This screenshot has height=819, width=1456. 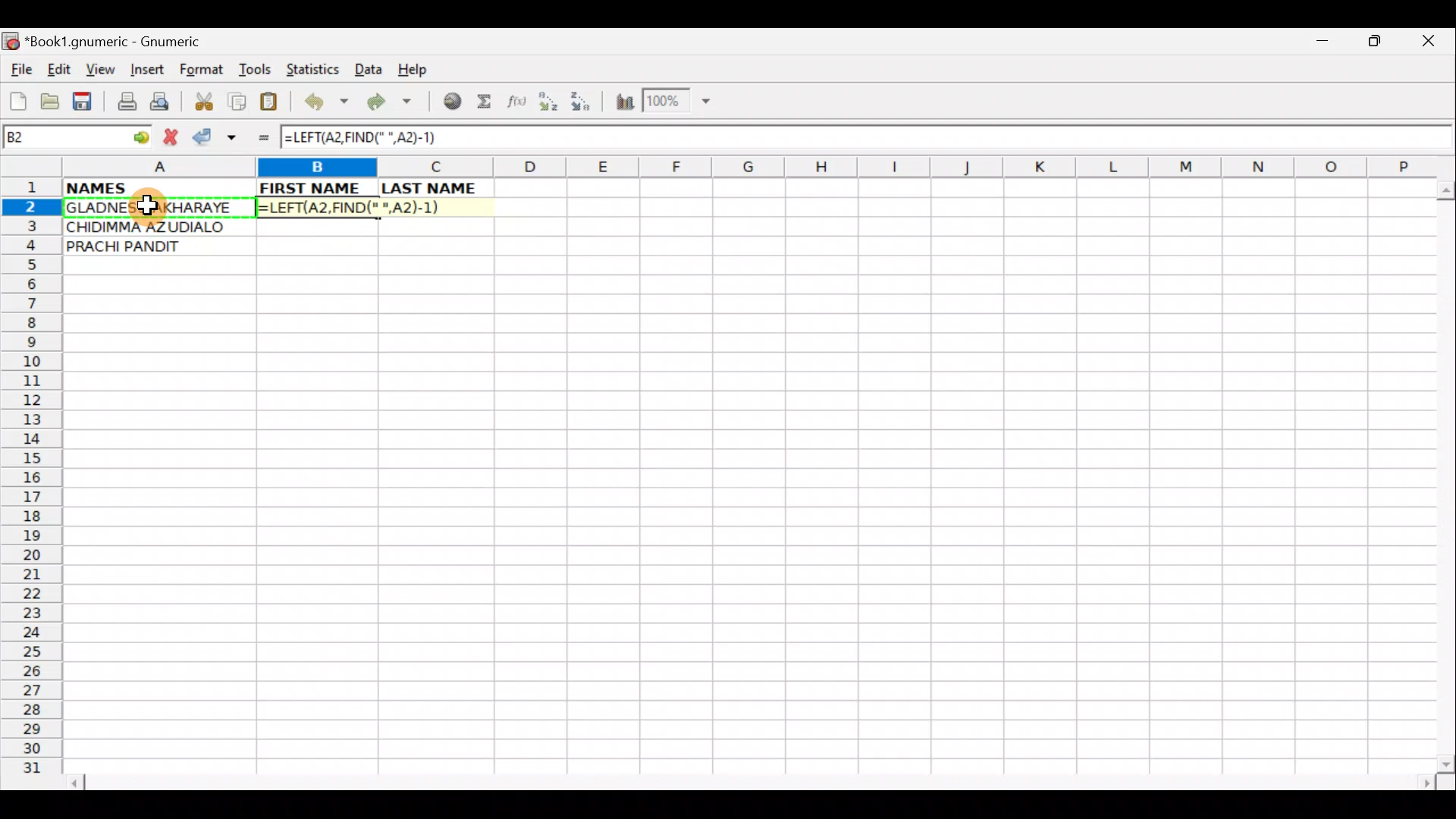 I want to click on Open a file, so click(x=53, y=99).